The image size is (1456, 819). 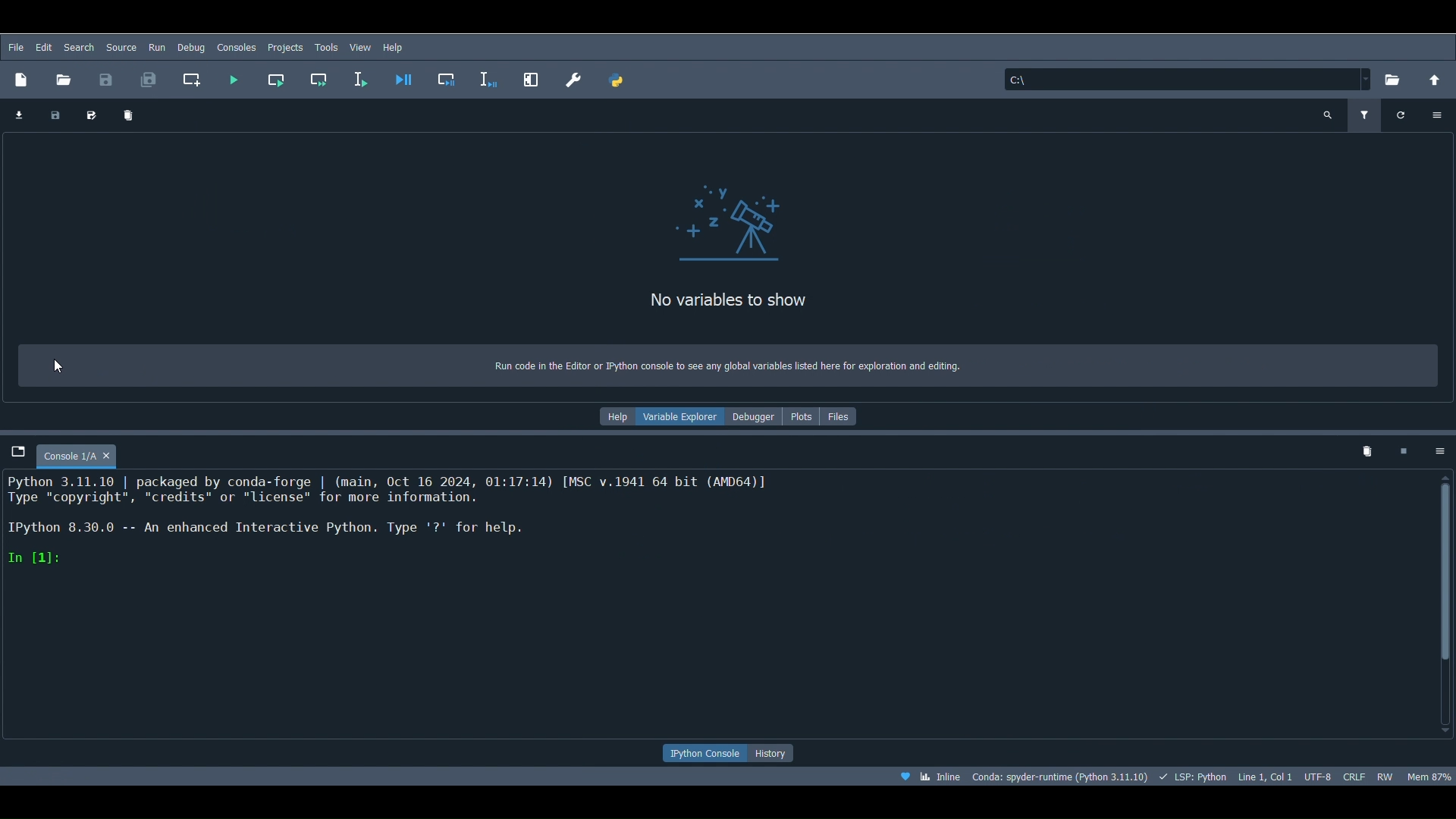 I want to click on Open file (Ctrl + O), so click(x=64, y=76).